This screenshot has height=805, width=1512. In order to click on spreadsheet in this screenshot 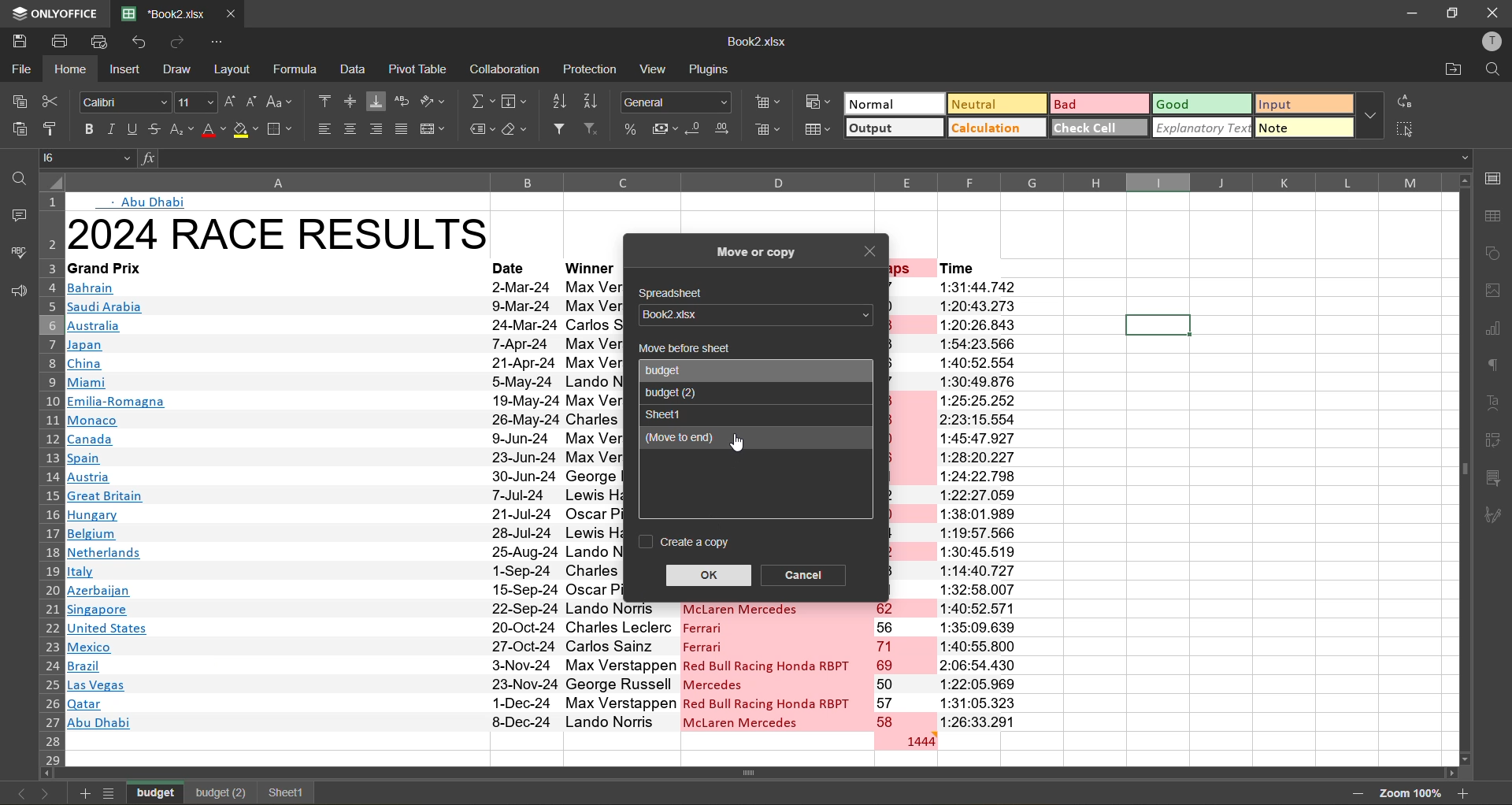, I will do `click(676, 294)`.